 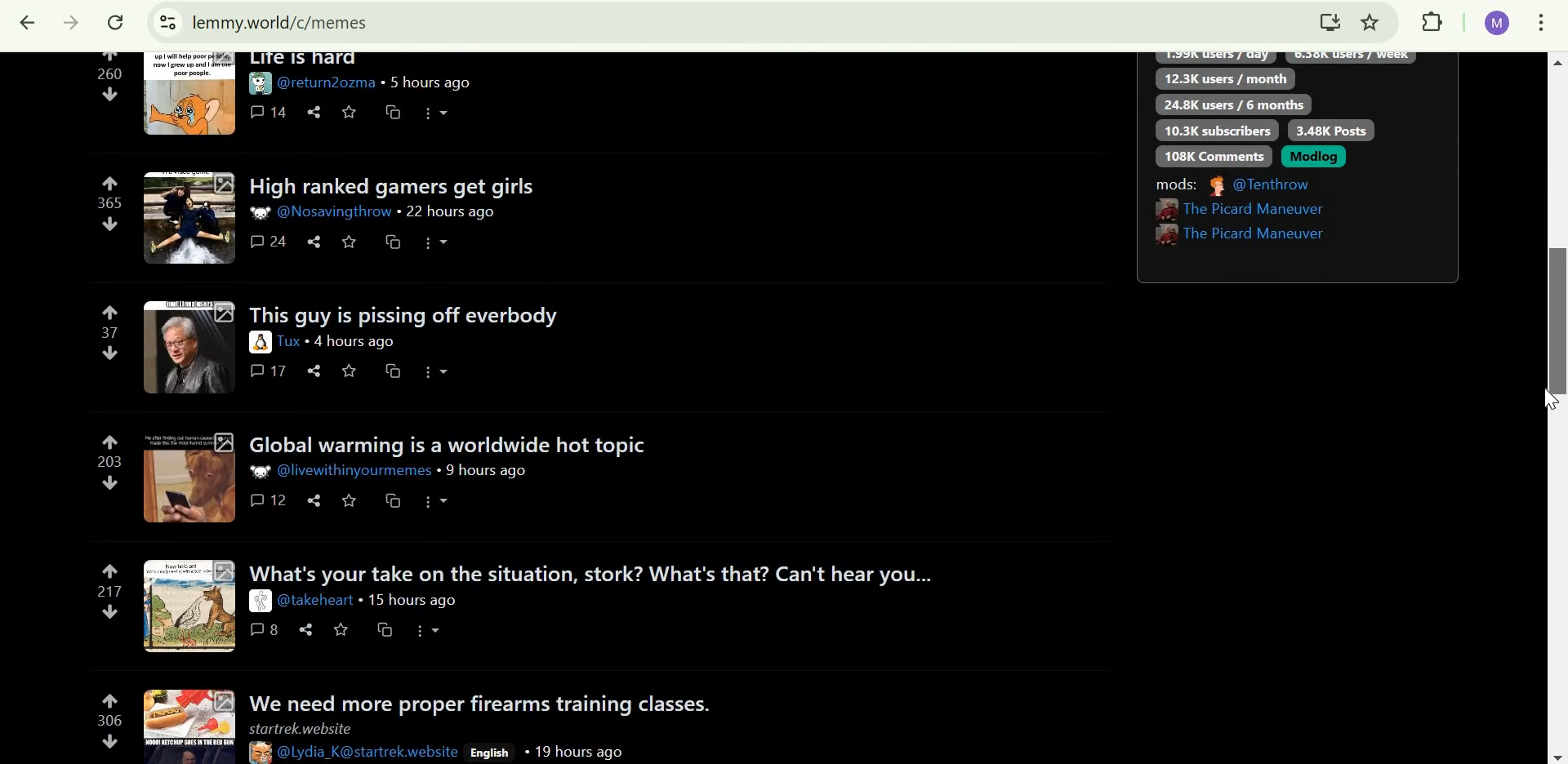 What do you see at coordinates (261, 342) in the screenshot?
I see `picture` at bounding box center [261, 342].